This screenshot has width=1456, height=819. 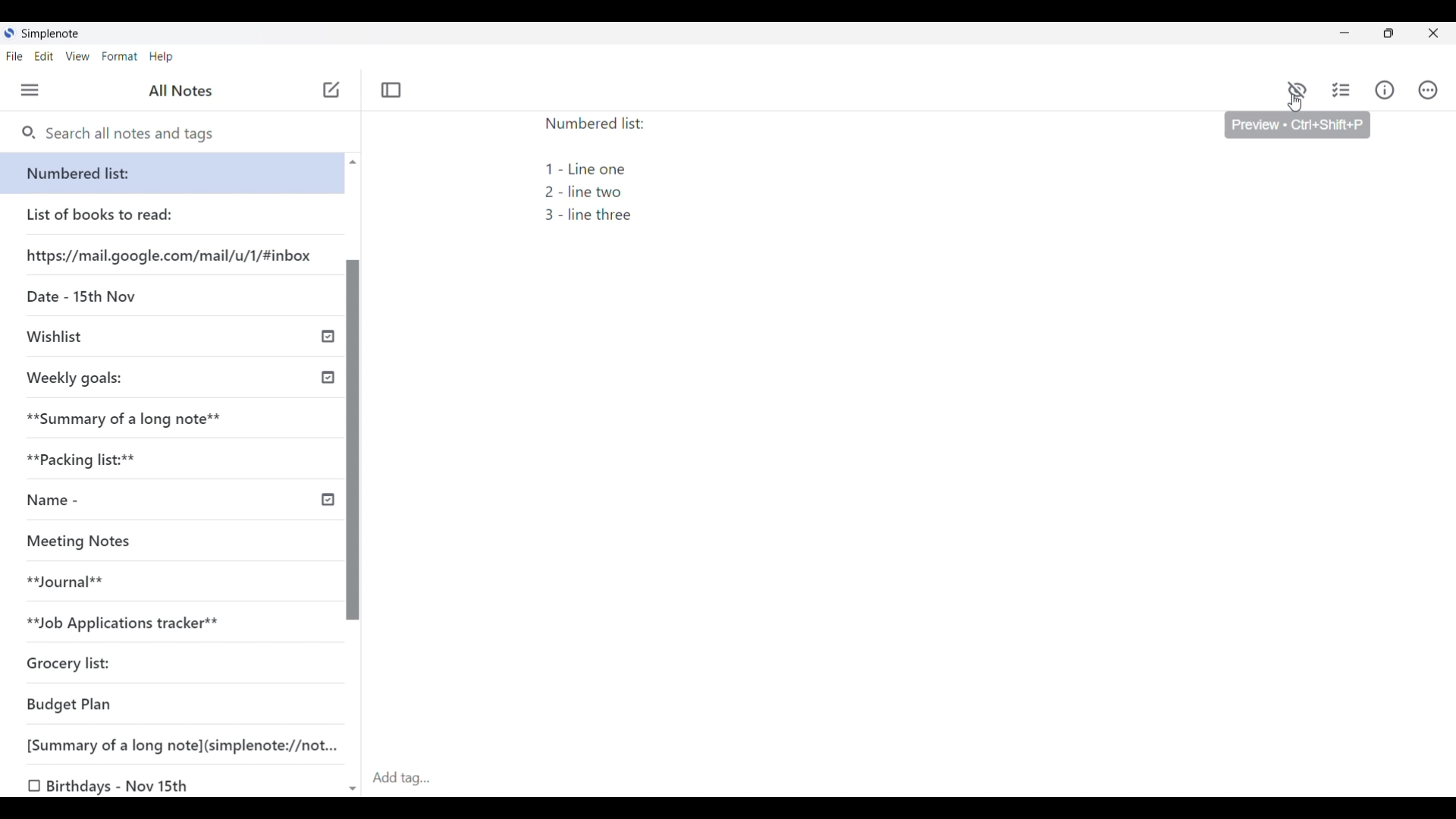 What do you see at coordinates (600, 124) in the screenshot?
I see `Numbered list:` at bounding box center [600, 124].